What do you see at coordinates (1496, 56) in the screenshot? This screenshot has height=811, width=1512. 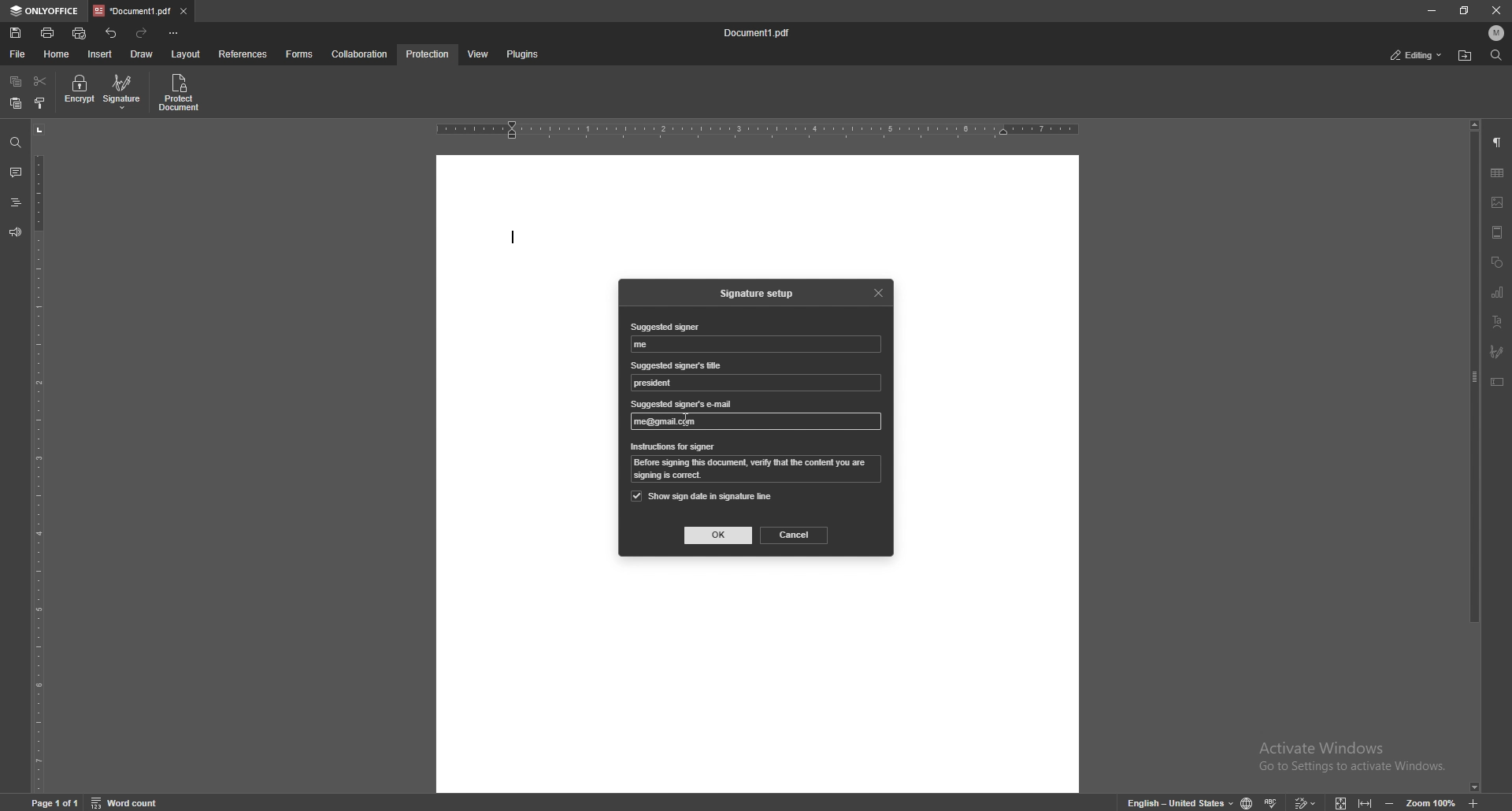 I see `find` at bounding box center [1496, 56].